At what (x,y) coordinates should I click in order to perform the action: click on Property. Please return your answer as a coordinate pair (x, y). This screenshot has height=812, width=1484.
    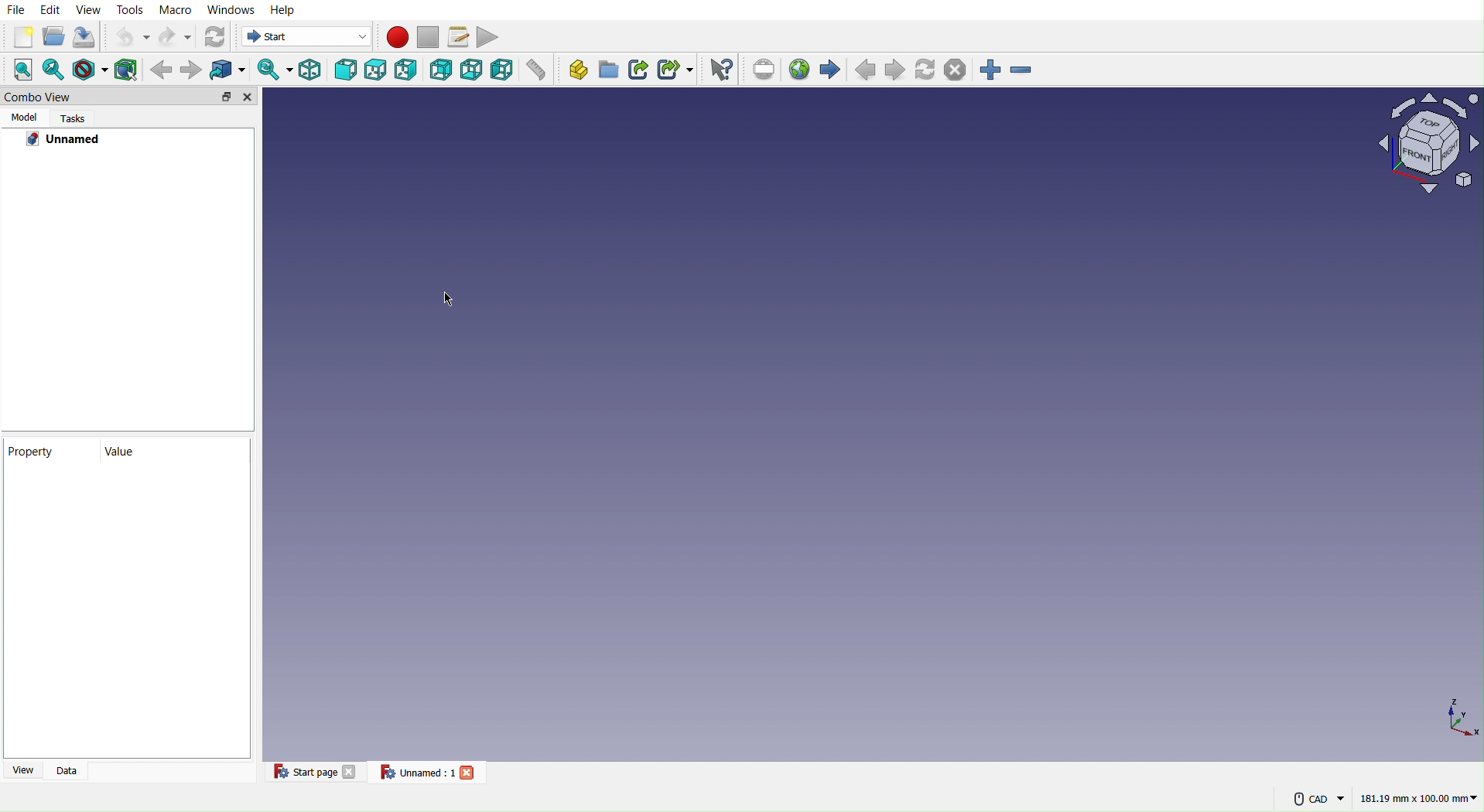
    Looking at the image, I should click on (128, 551).